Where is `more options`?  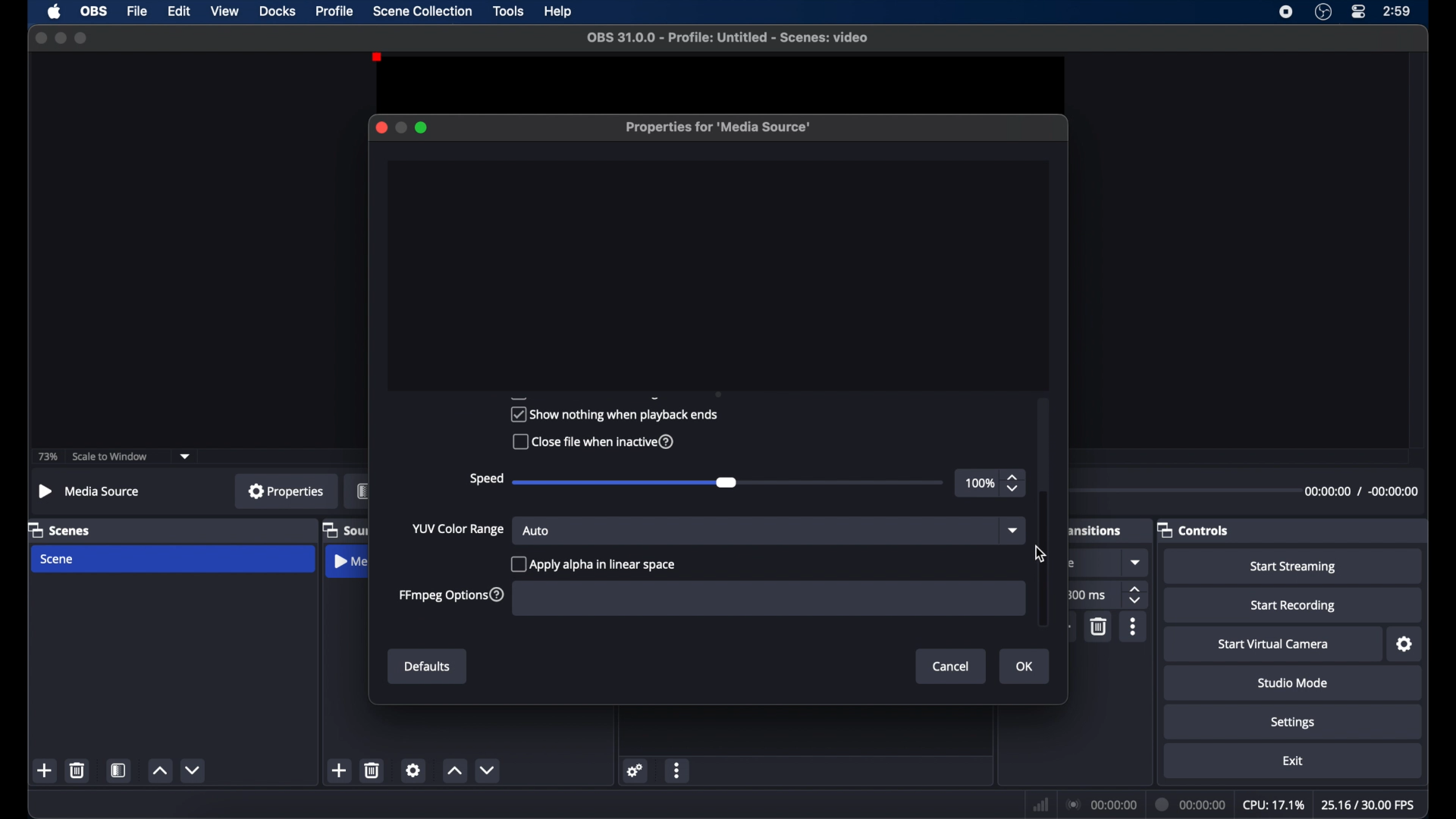 more options is located at coordinates (677, 770).